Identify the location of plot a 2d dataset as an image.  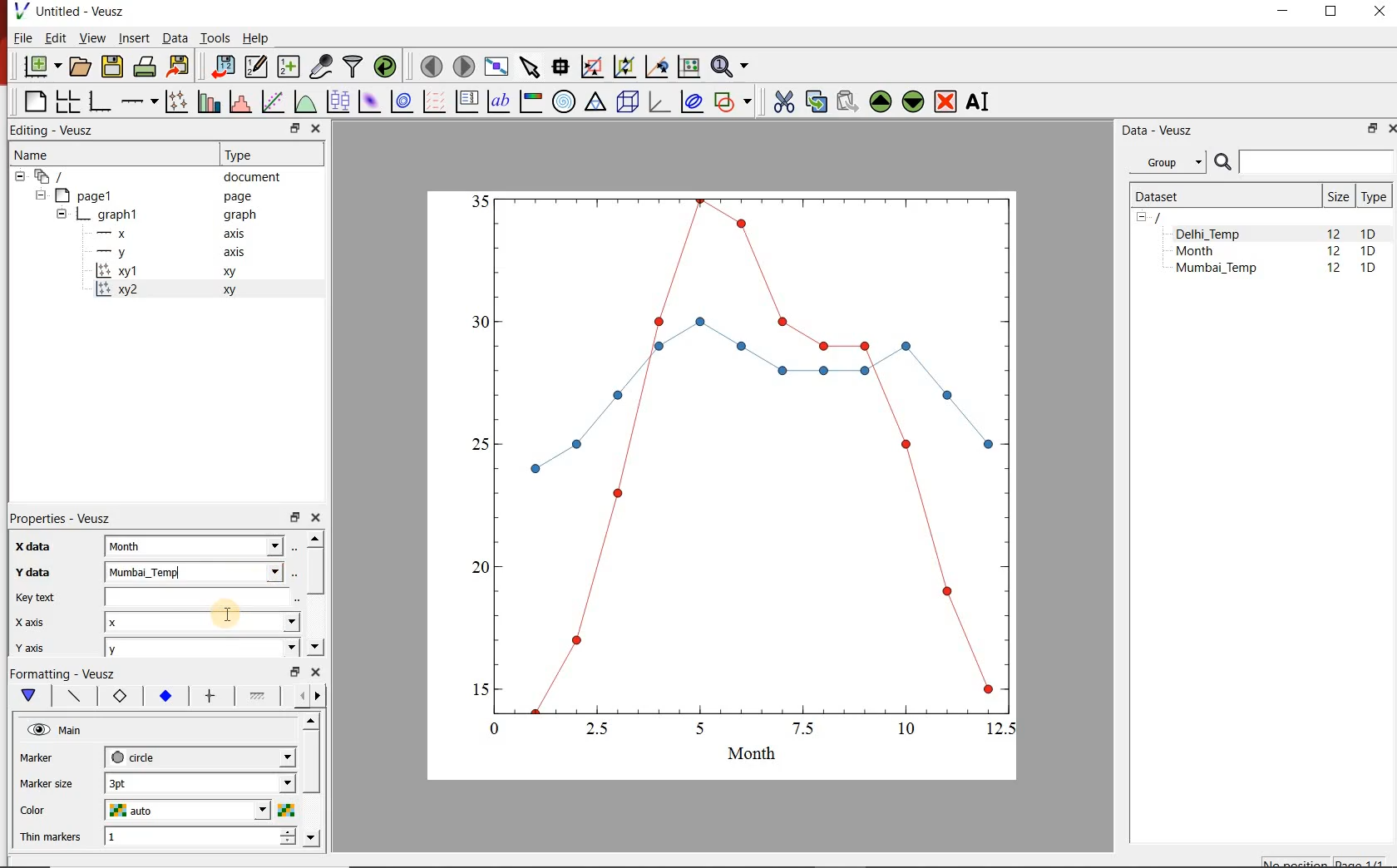
(371, 101).